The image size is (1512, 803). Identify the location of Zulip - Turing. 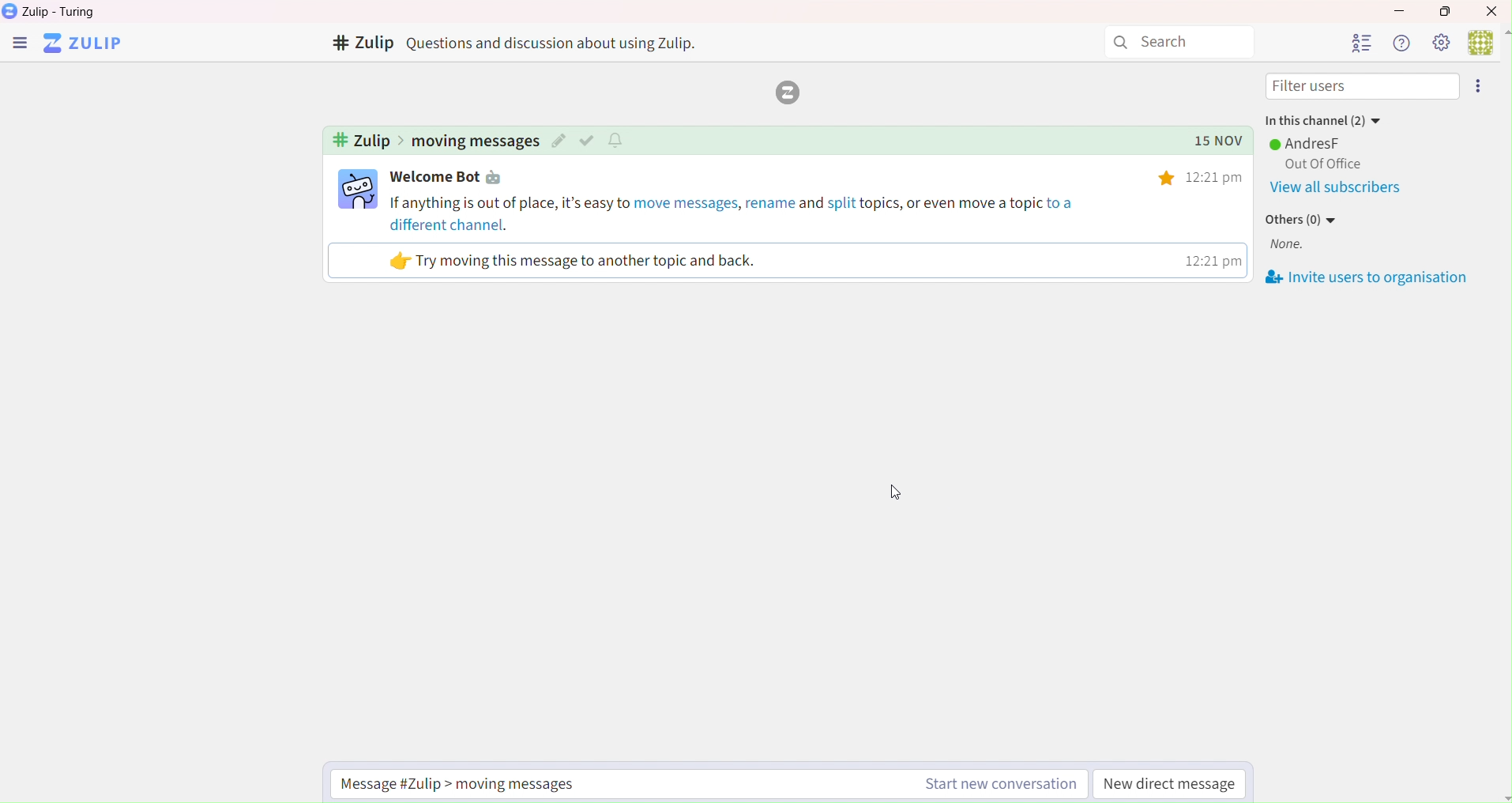
(63, 12).